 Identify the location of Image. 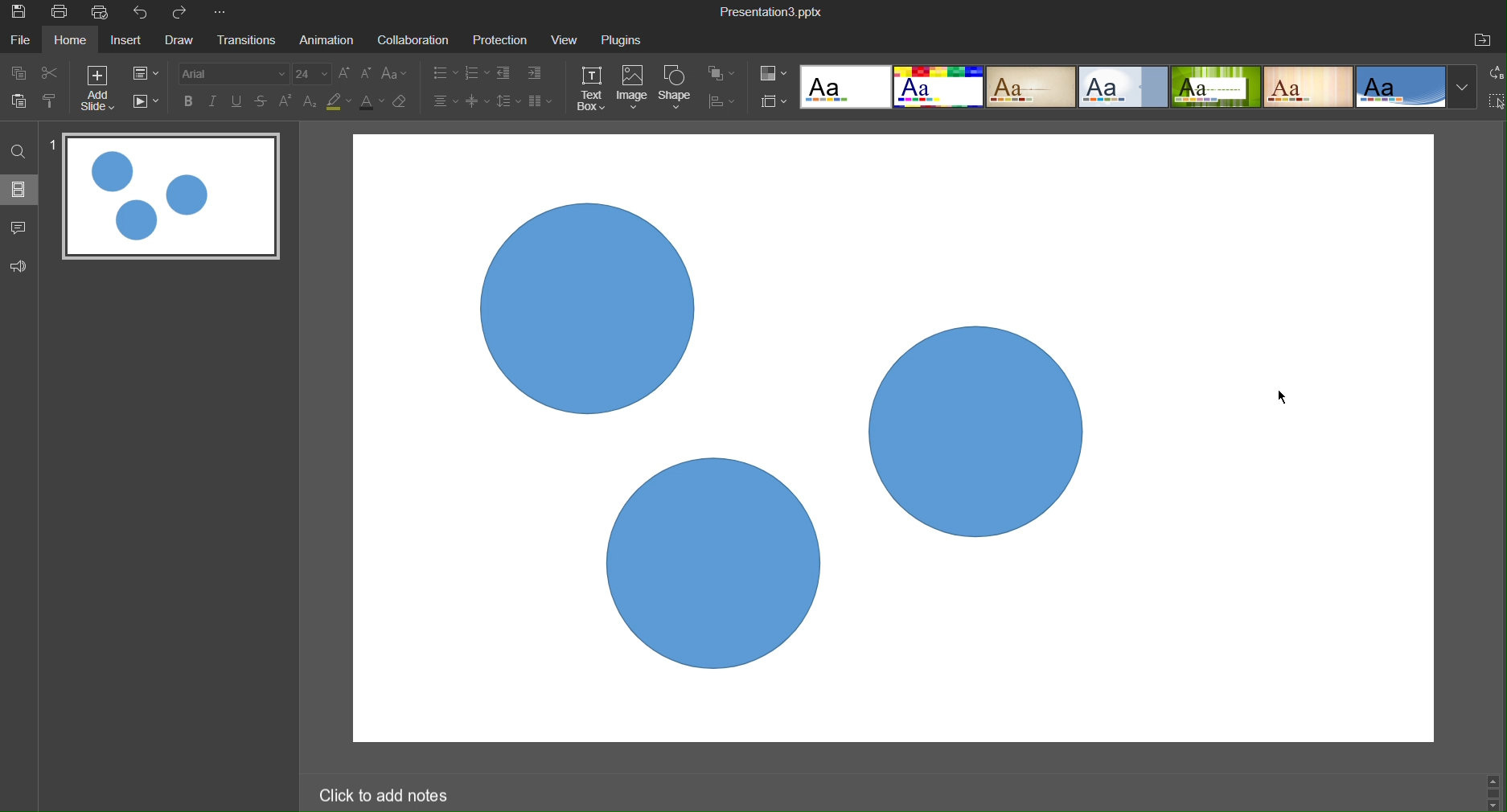
(634, 89).